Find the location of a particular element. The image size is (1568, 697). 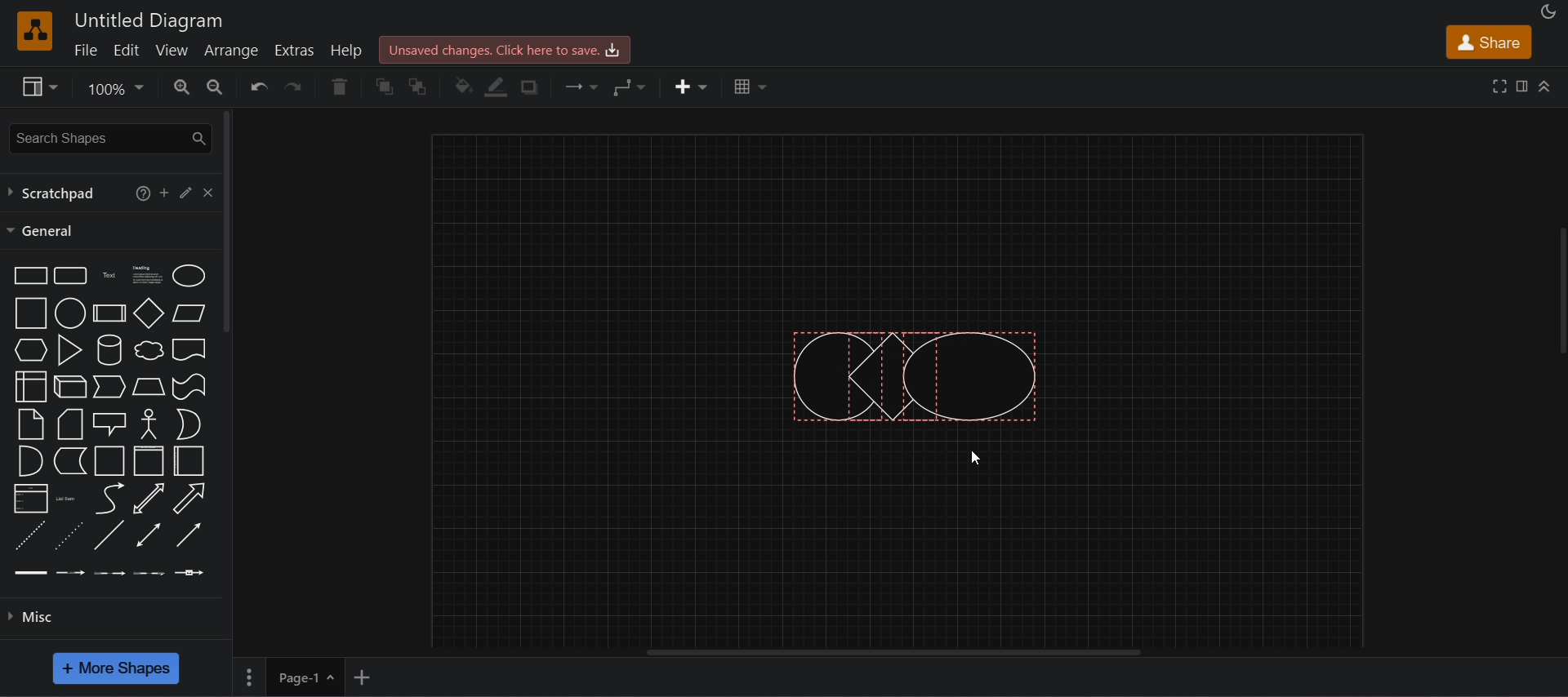

cylinder is located at coordinates (108, 349).